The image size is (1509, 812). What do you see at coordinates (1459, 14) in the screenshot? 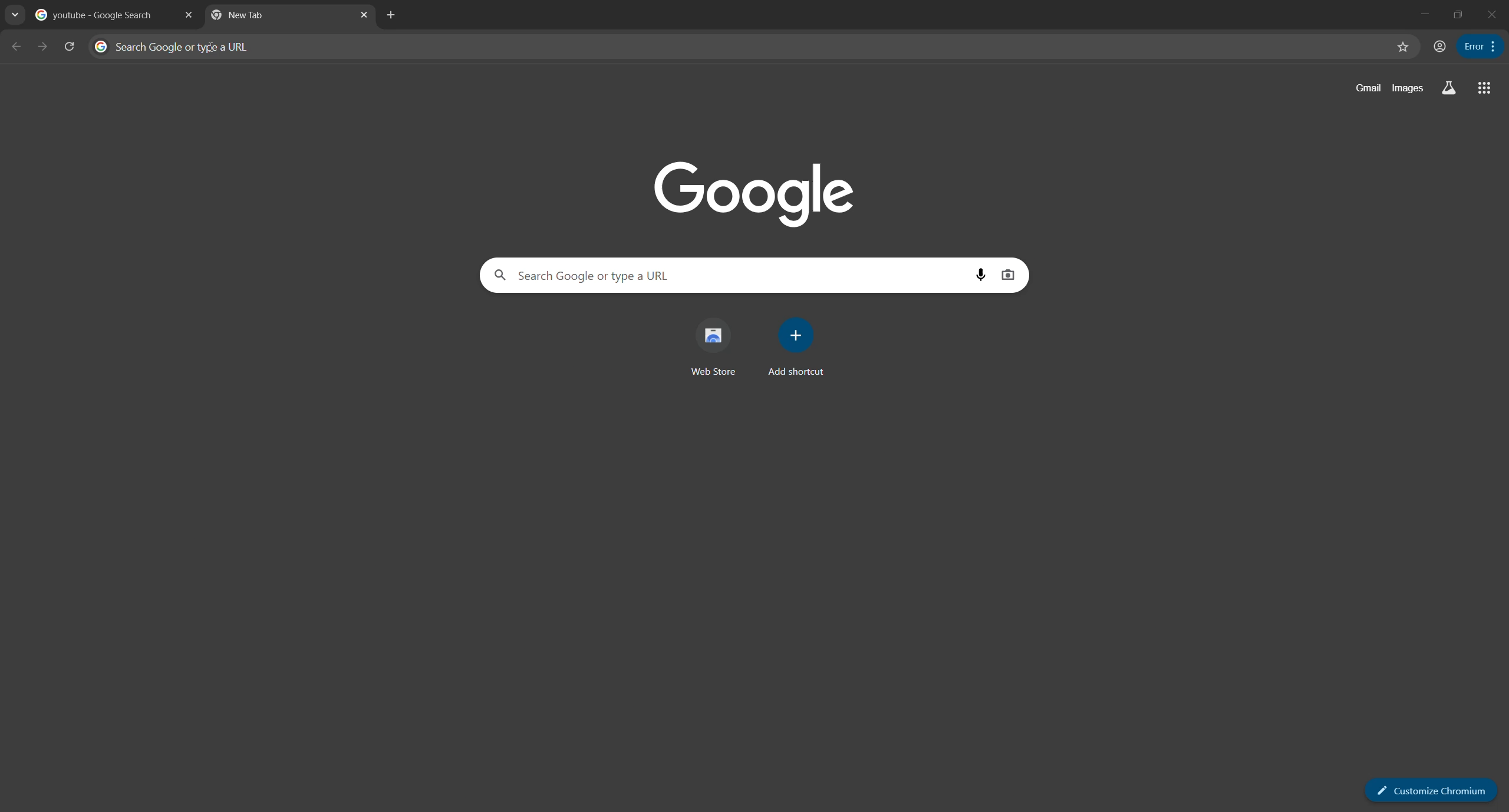
I see `maximize or restore` at bounding box center [1459, 14].